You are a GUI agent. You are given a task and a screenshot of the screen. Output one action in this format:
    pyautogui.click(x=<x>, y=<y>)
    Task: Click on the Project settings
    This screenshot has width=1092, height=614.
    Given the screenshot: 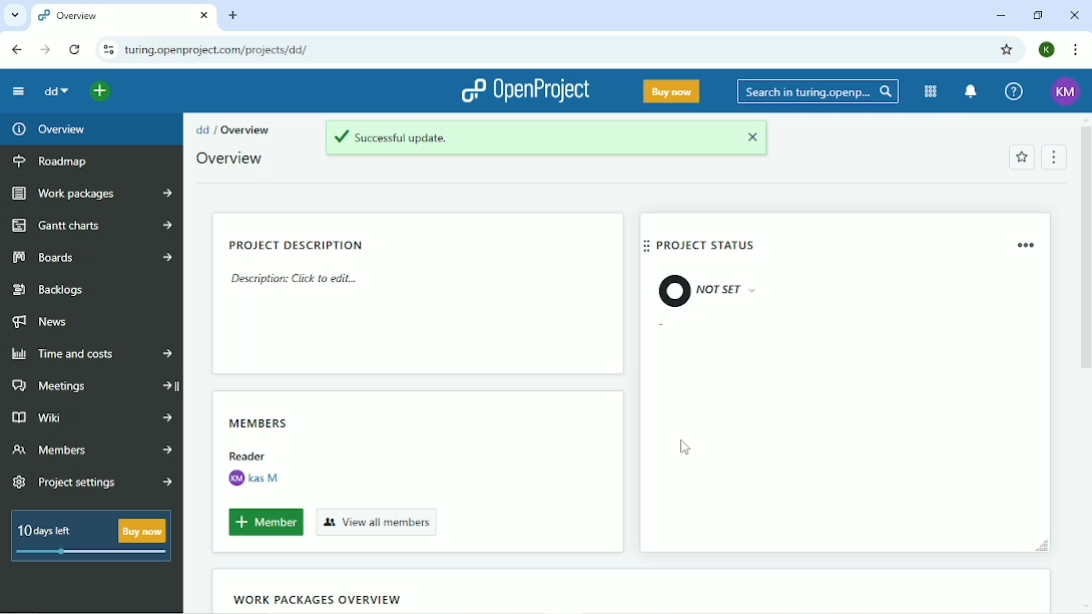 What is the action you would take?
    pyautogui.click(x=96, y=483)
    